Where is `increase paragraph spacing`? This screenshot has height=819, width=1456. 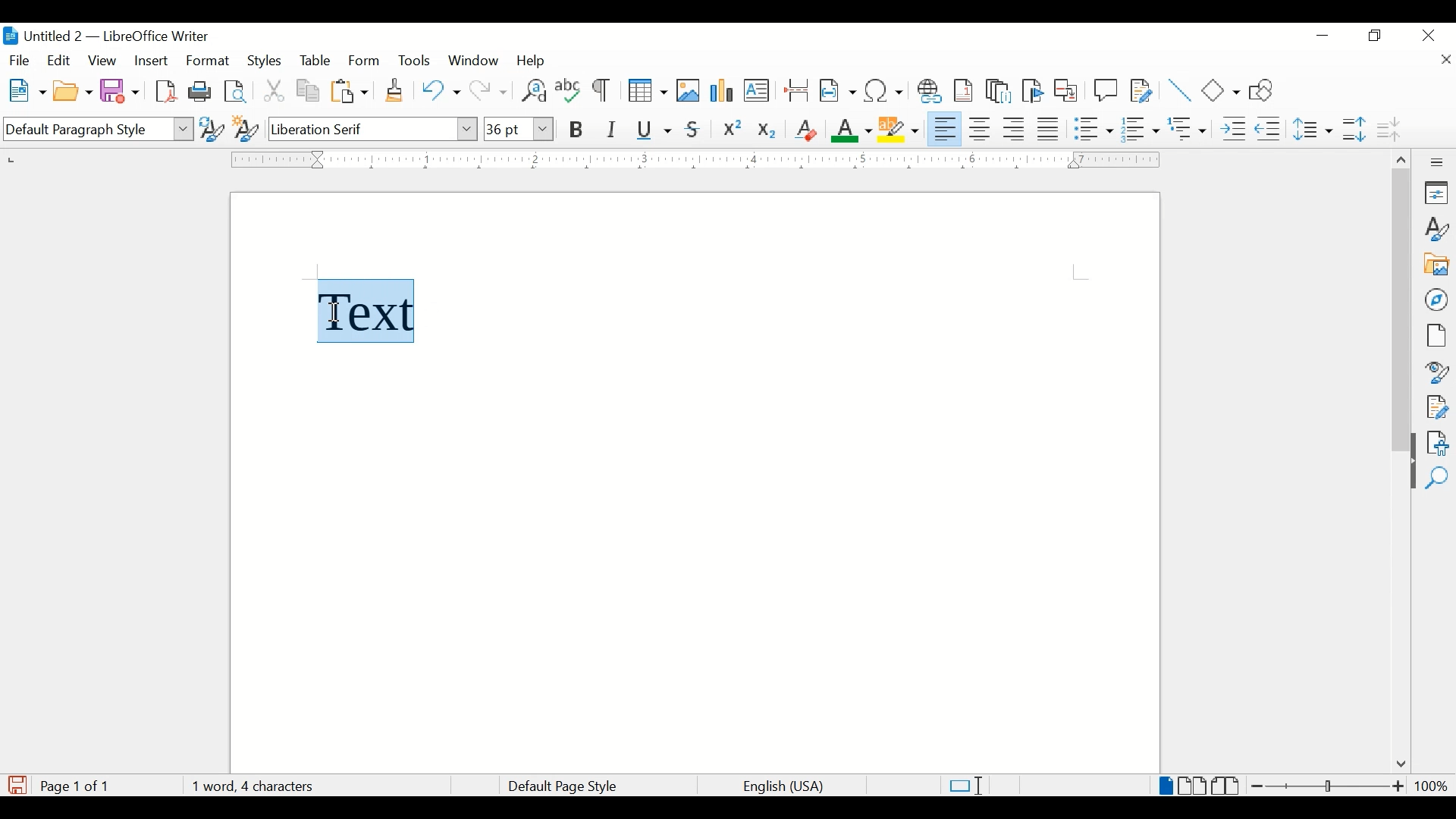 increase paragraph spacing is located at coordinates (1354, 129).